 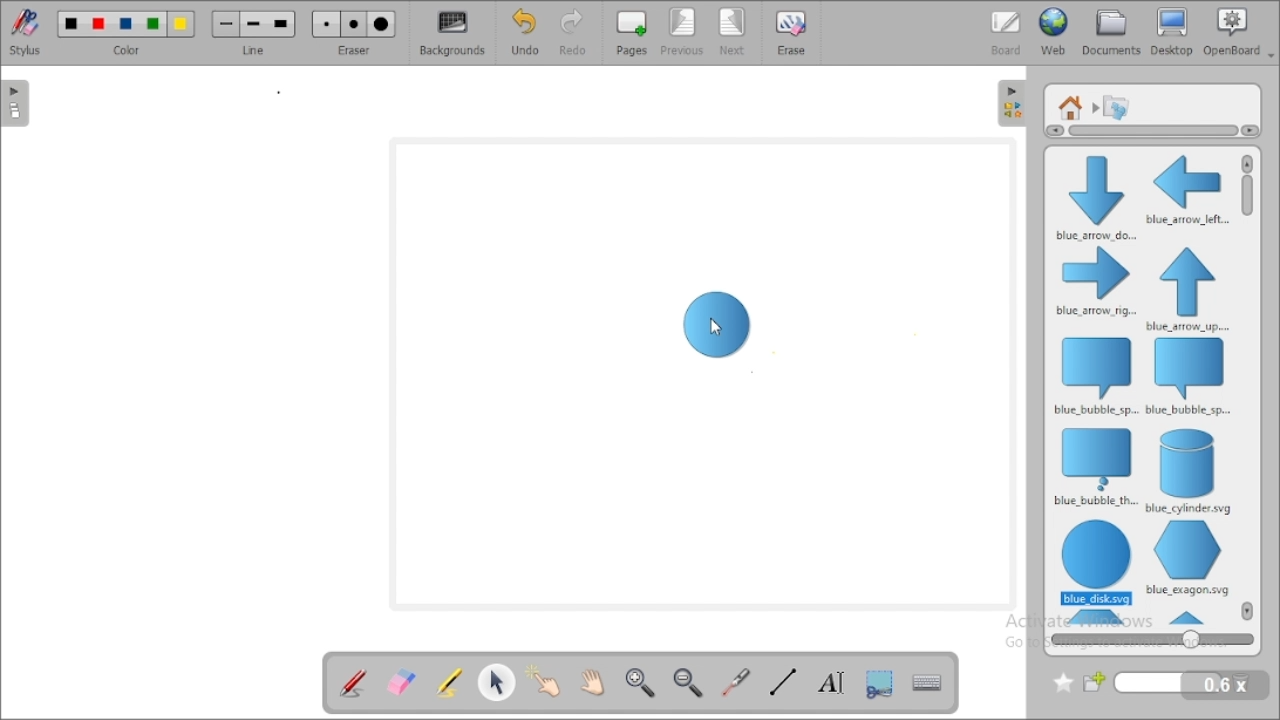 I want to click on erase annotation, so click(x=402, y=681).